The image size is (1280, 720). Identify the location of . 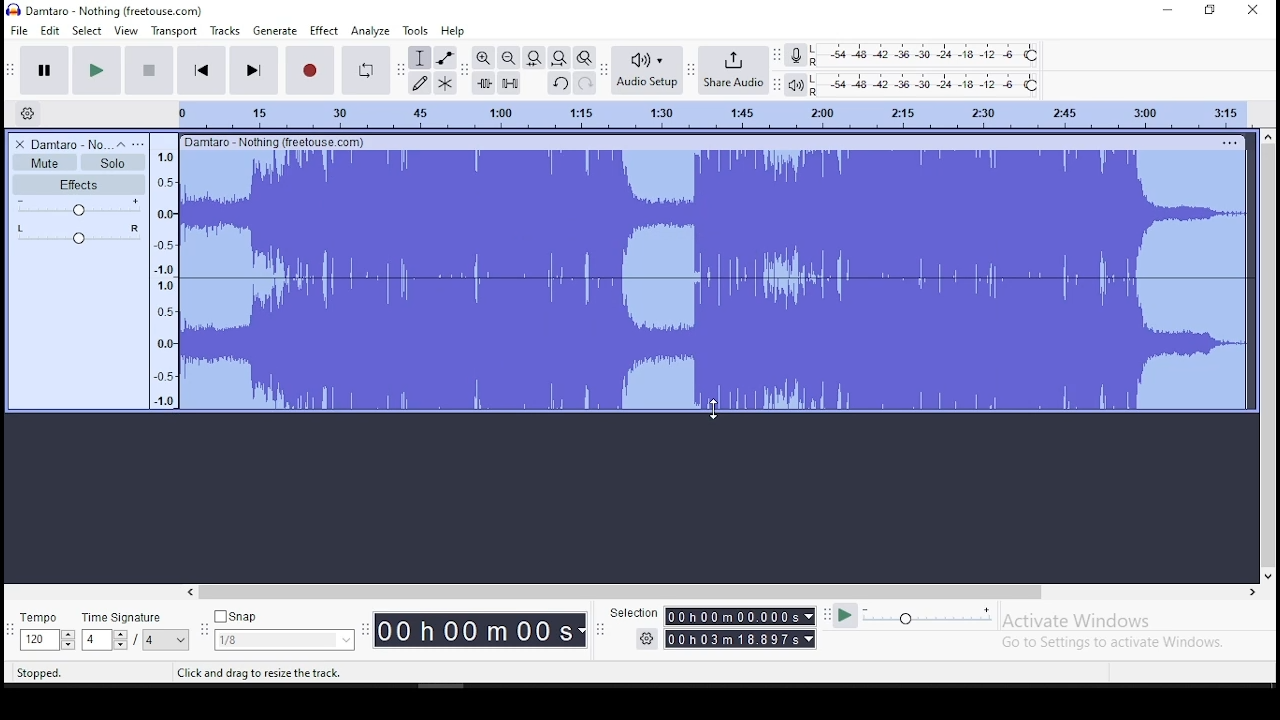
(10, 69).